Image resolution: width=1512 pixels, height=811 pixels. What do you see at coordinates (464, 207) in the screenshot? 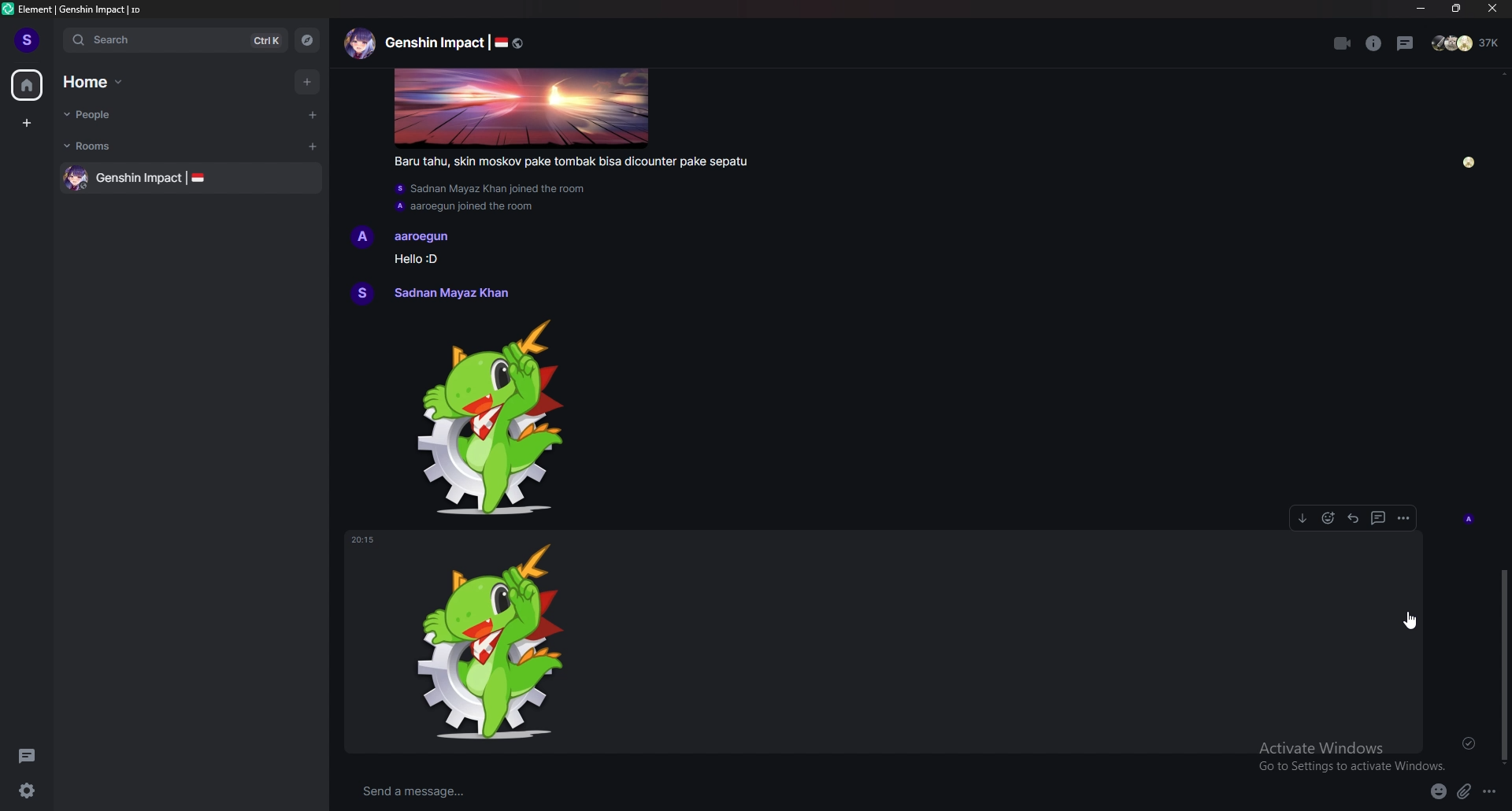
I see `aaroegun joined the room` at bounding box center [464, 207].